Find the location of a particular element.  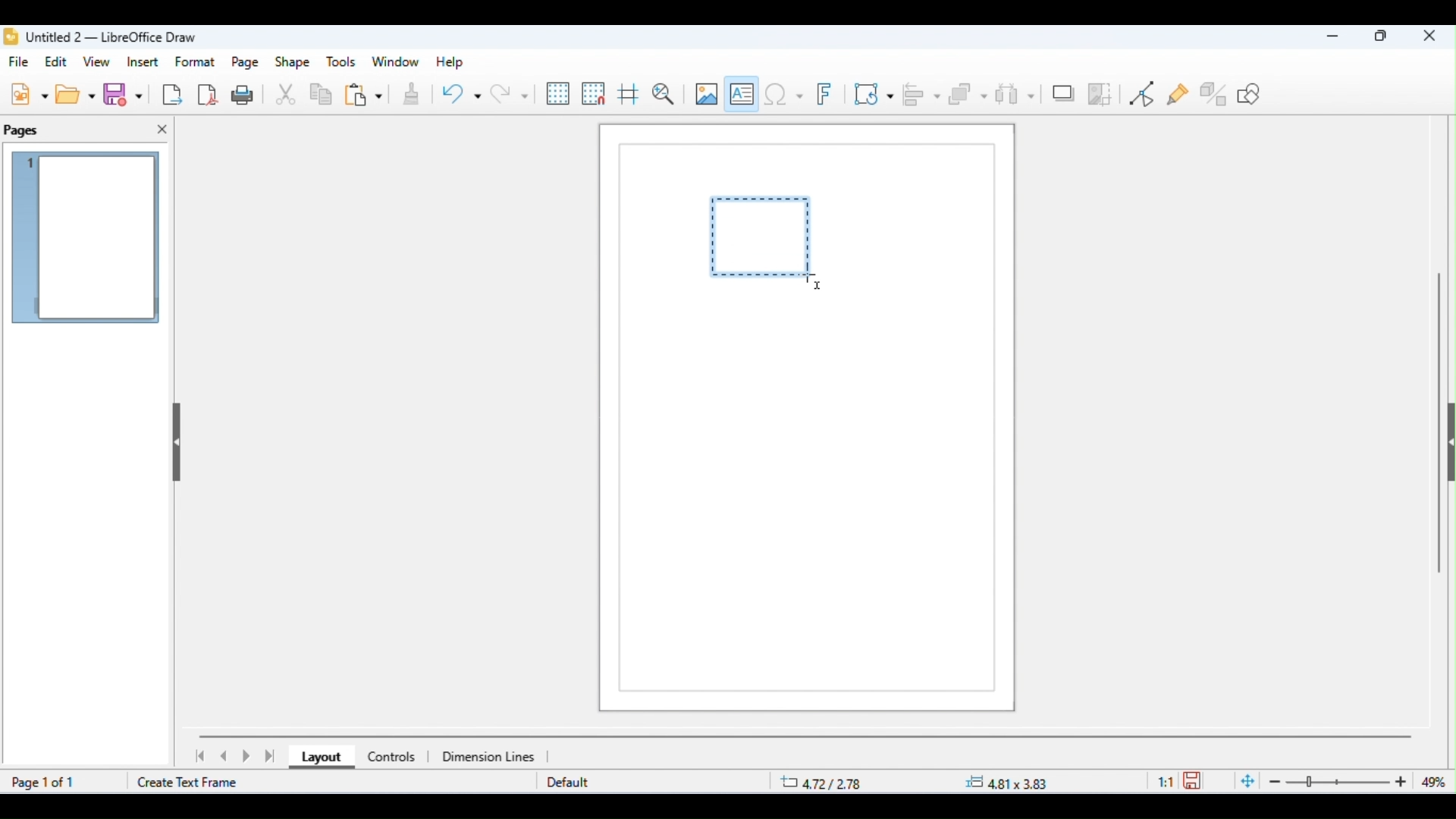

format is located at coordinates (196, 61).